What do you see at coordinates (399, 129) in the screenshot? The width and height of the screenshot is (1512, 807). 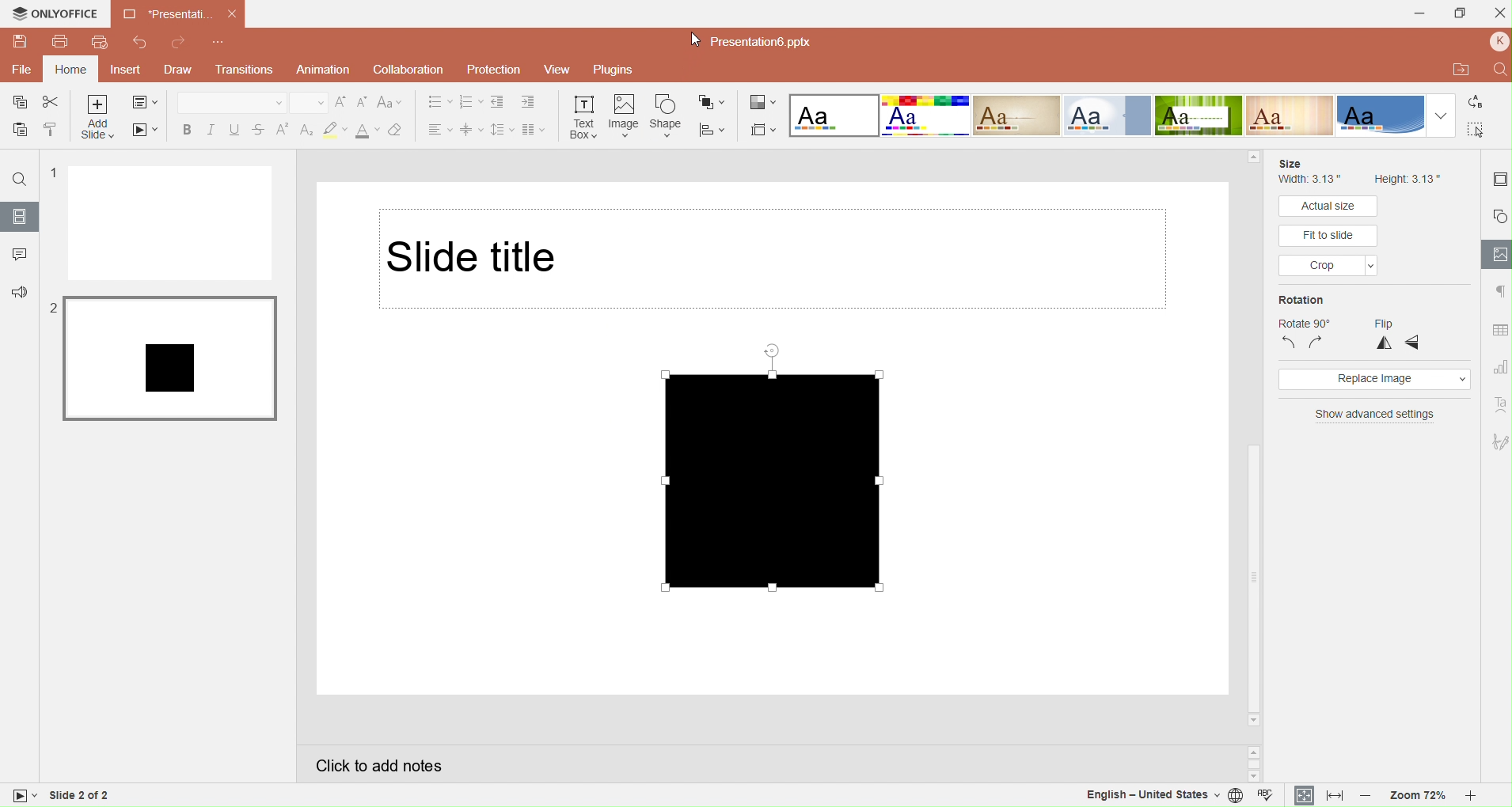 I see `Clear style` at bounding box center [399, 129].